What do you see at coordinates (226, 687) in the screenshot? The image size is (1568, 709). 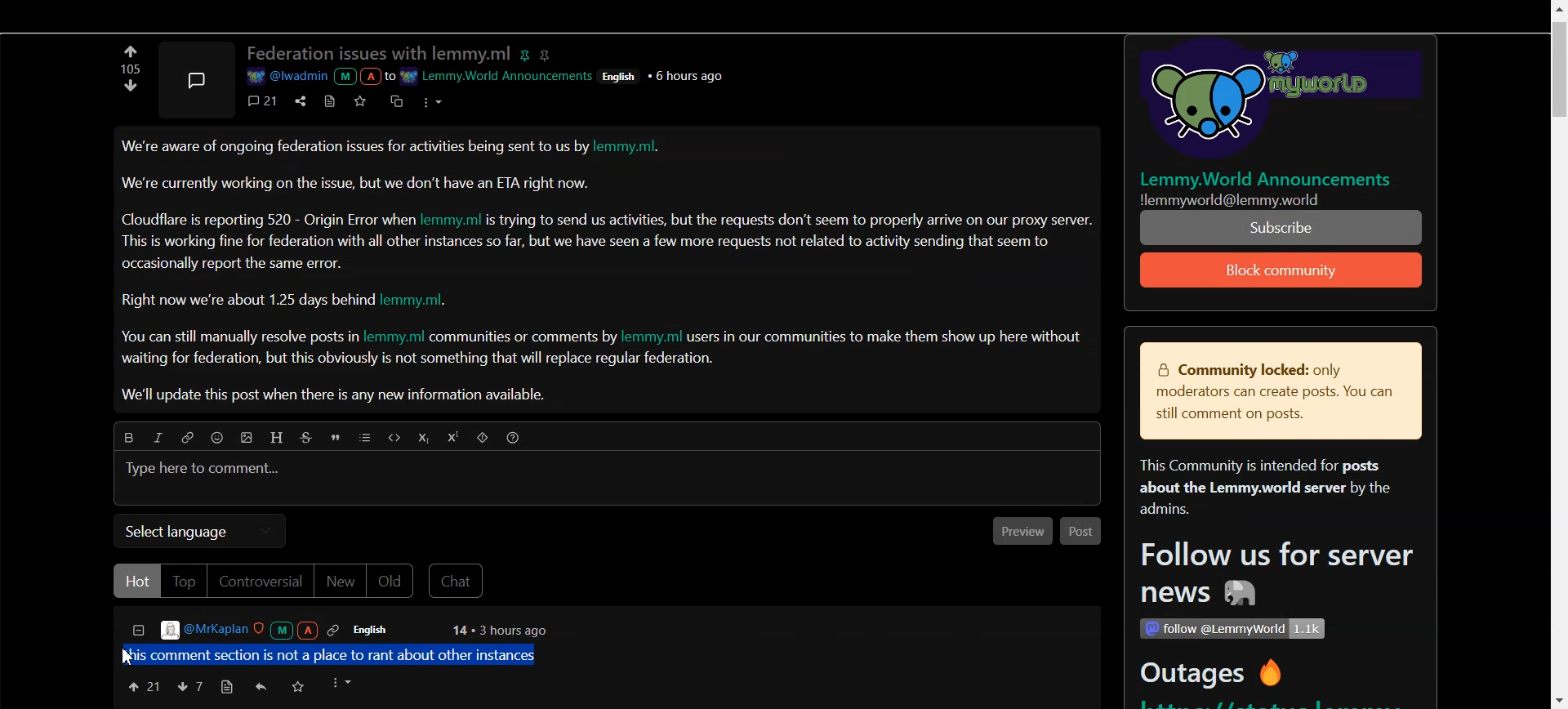 I see `view source` at bounding box center [226, 687].